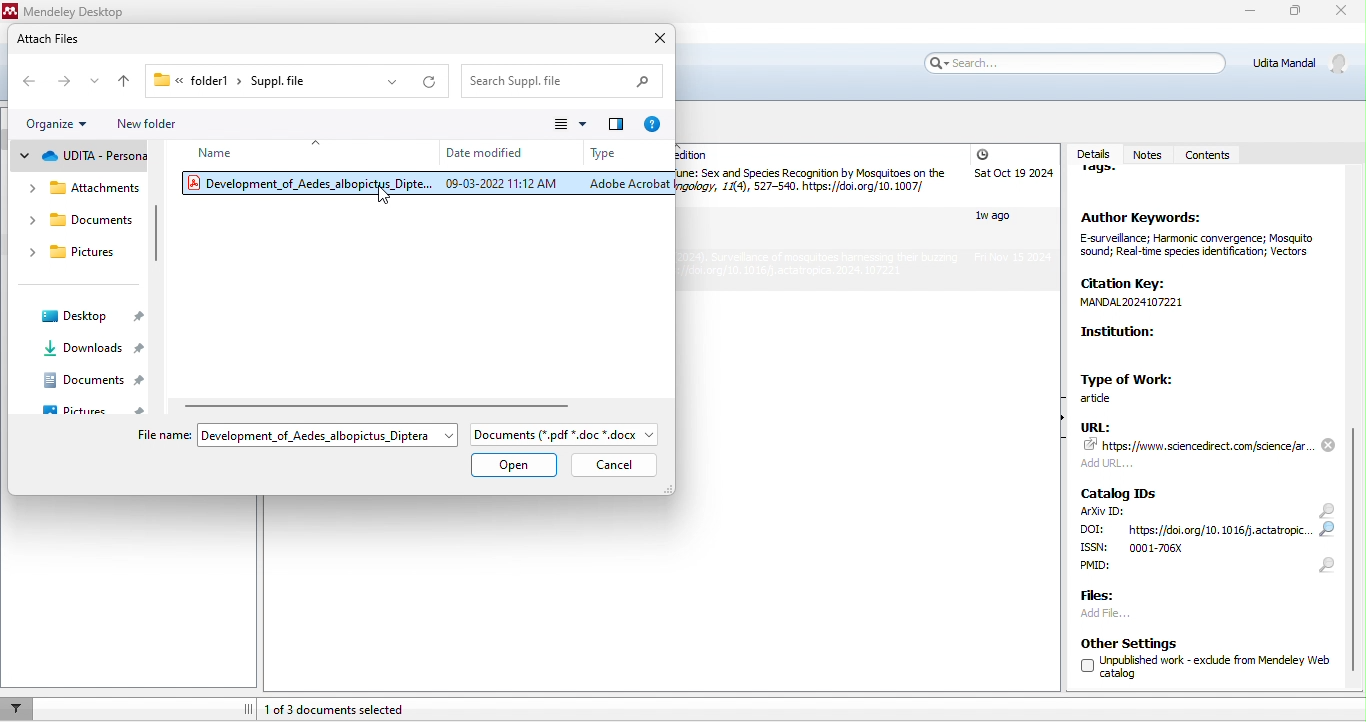 This screenshot has height=722, width=1366. Describe the element at coordinates (424, 183) in the screenshot. I see `file selected` at that location.